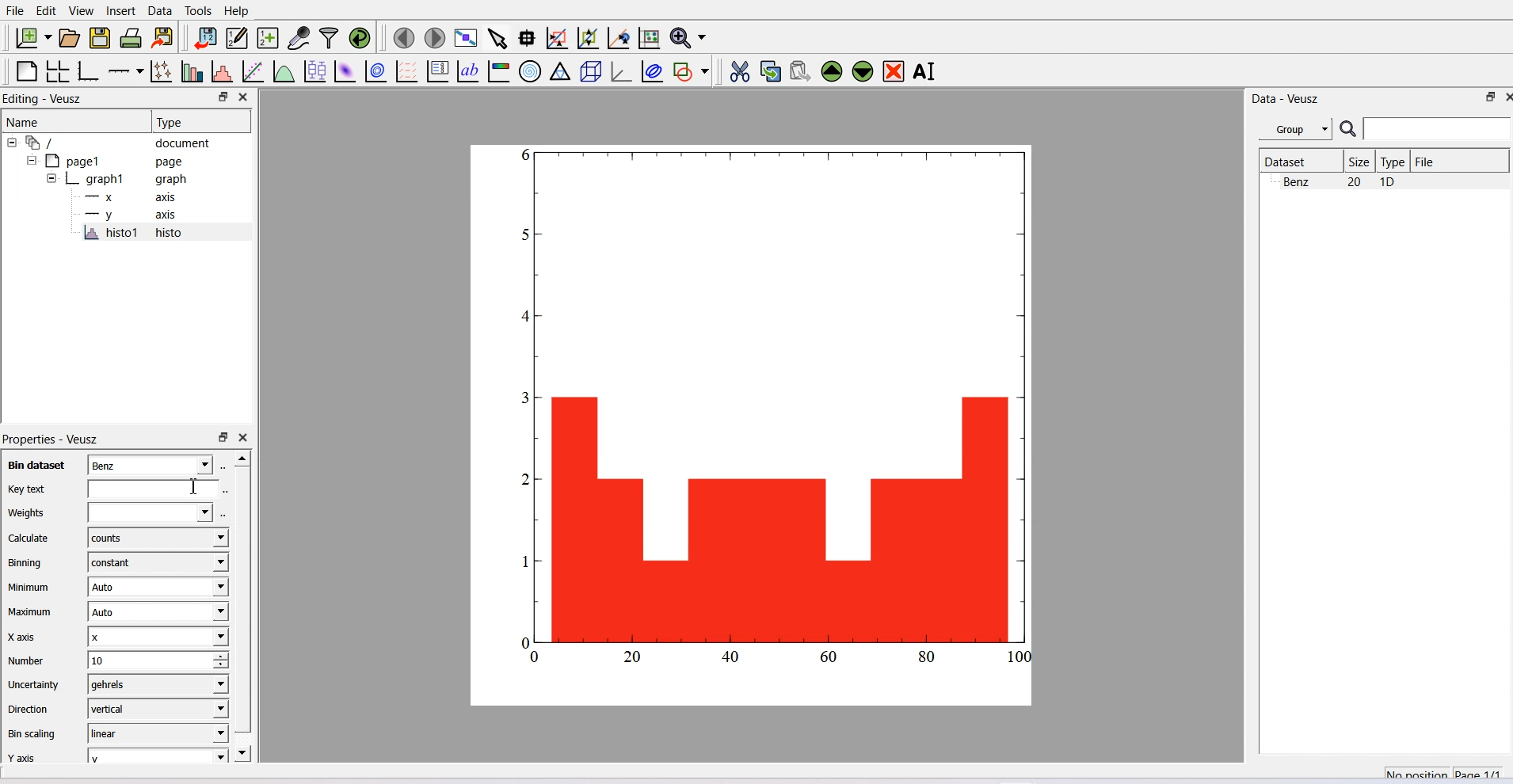 The height and width of the screenshot is (784, 1513). I want to click on Capture a dataset, so click(299, 37).